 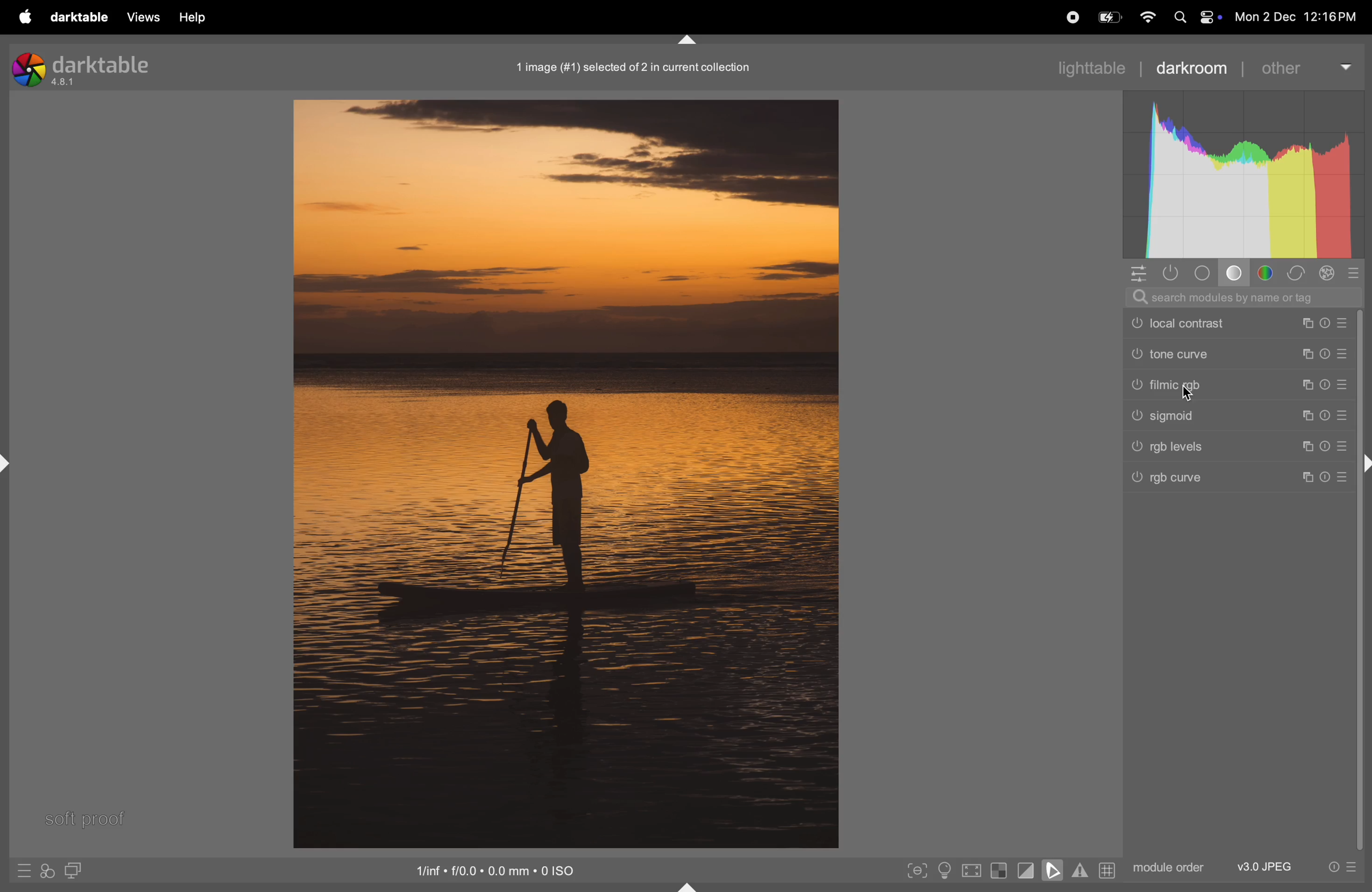 I want to click on views, so click(x=140, y=17).